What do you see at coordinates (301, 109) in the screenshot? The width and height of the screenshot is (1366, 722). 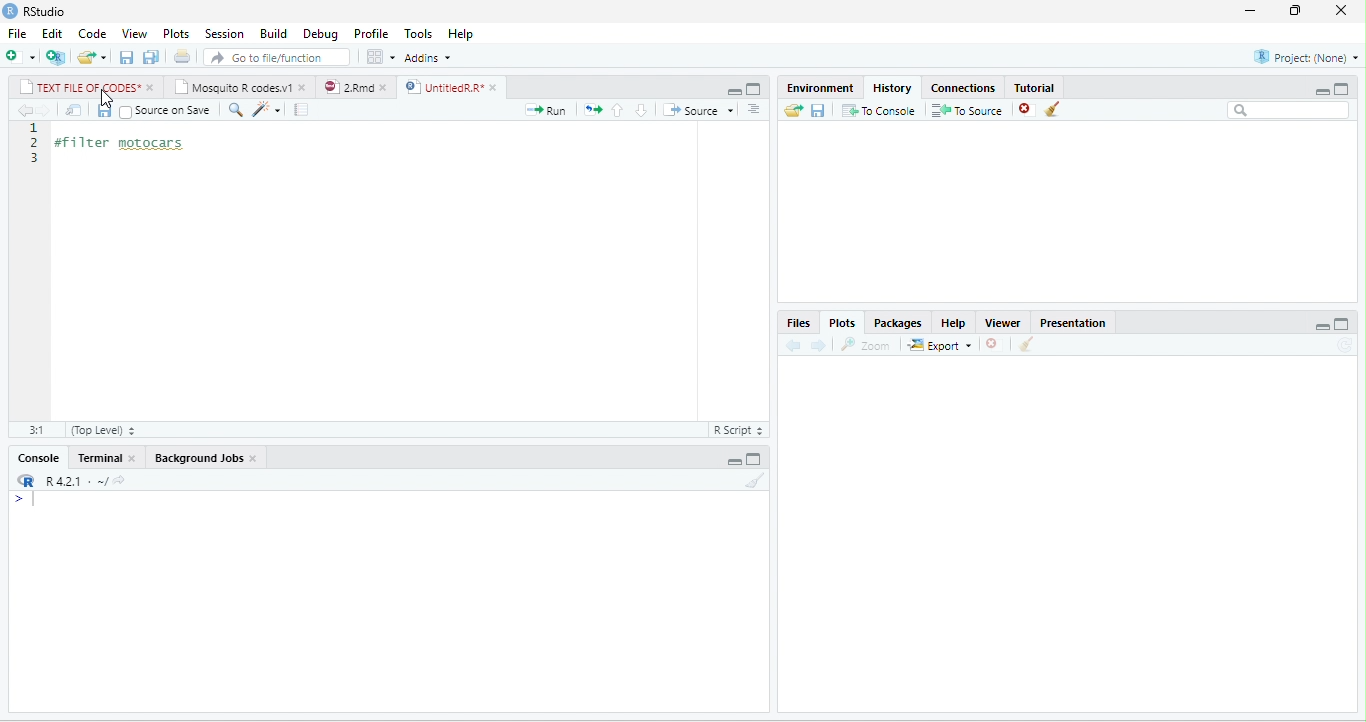 I see `compile report` at bounding box center [301, 109].